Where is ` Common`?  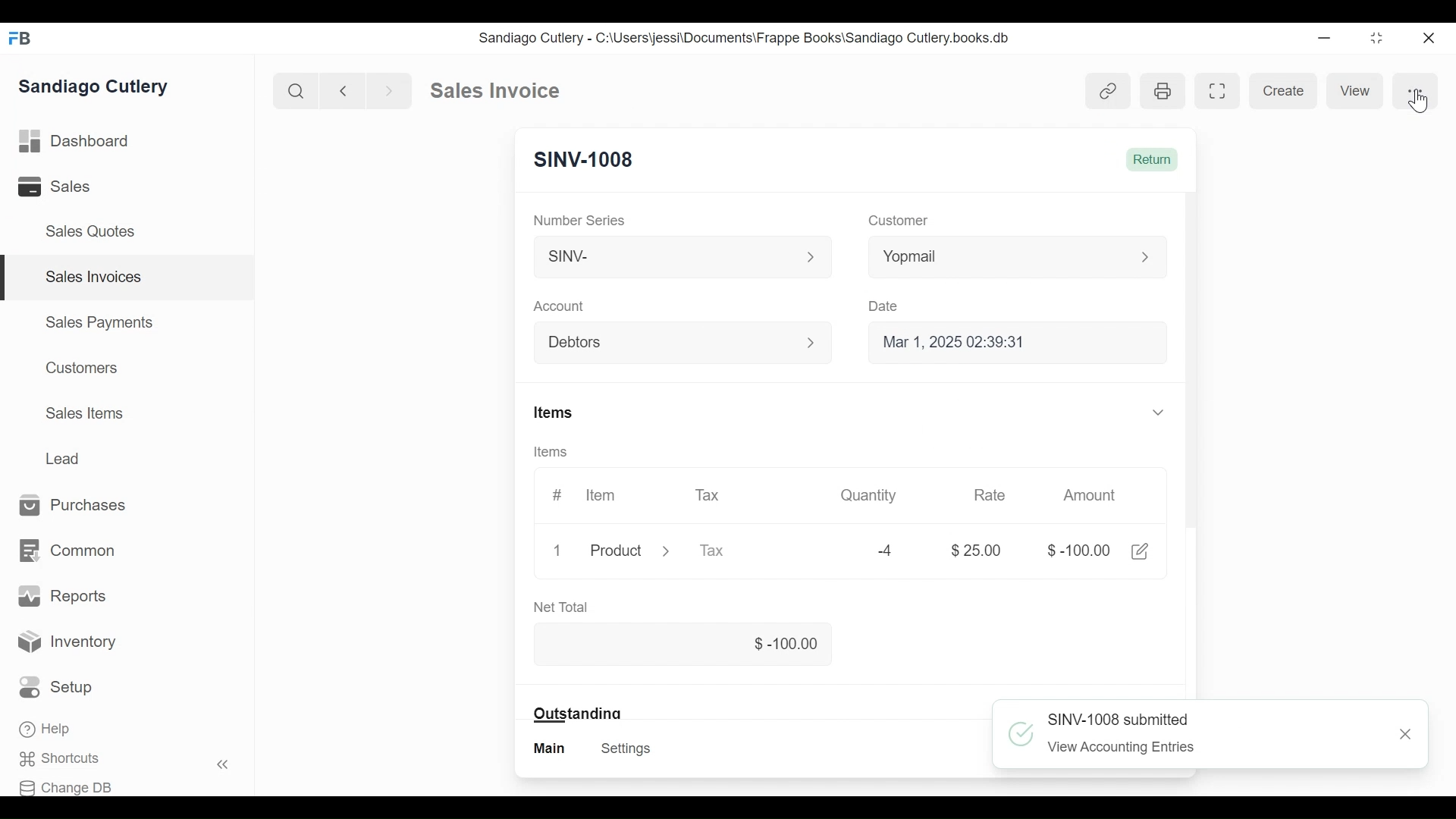  Common is located at coordinates (69, 550).